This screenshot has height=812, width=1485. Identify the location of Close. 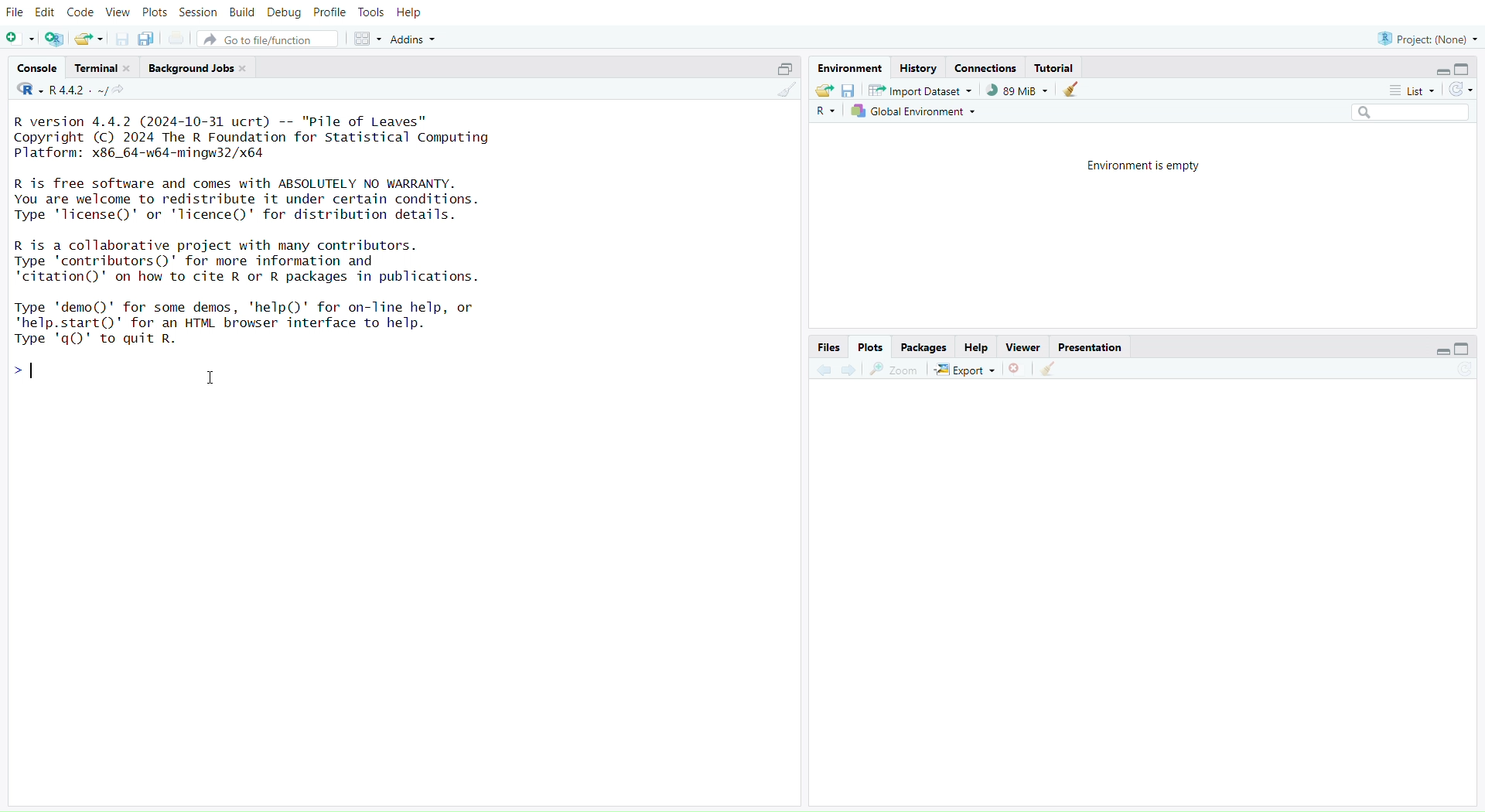
(1016, 368).